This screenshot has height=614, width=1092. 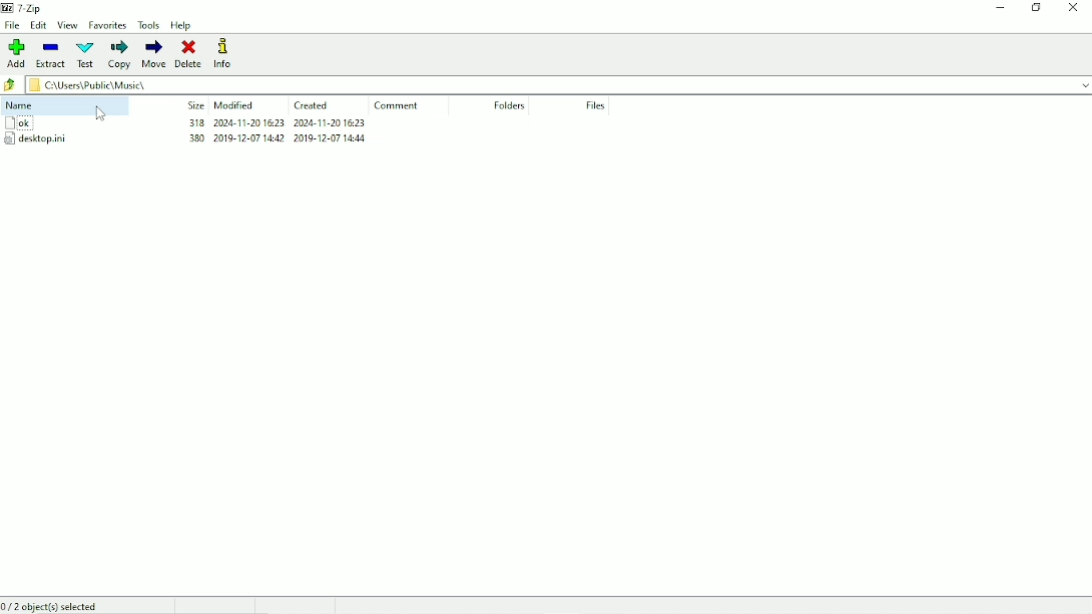 I want to click on Copy, so click(x=119, y=55).